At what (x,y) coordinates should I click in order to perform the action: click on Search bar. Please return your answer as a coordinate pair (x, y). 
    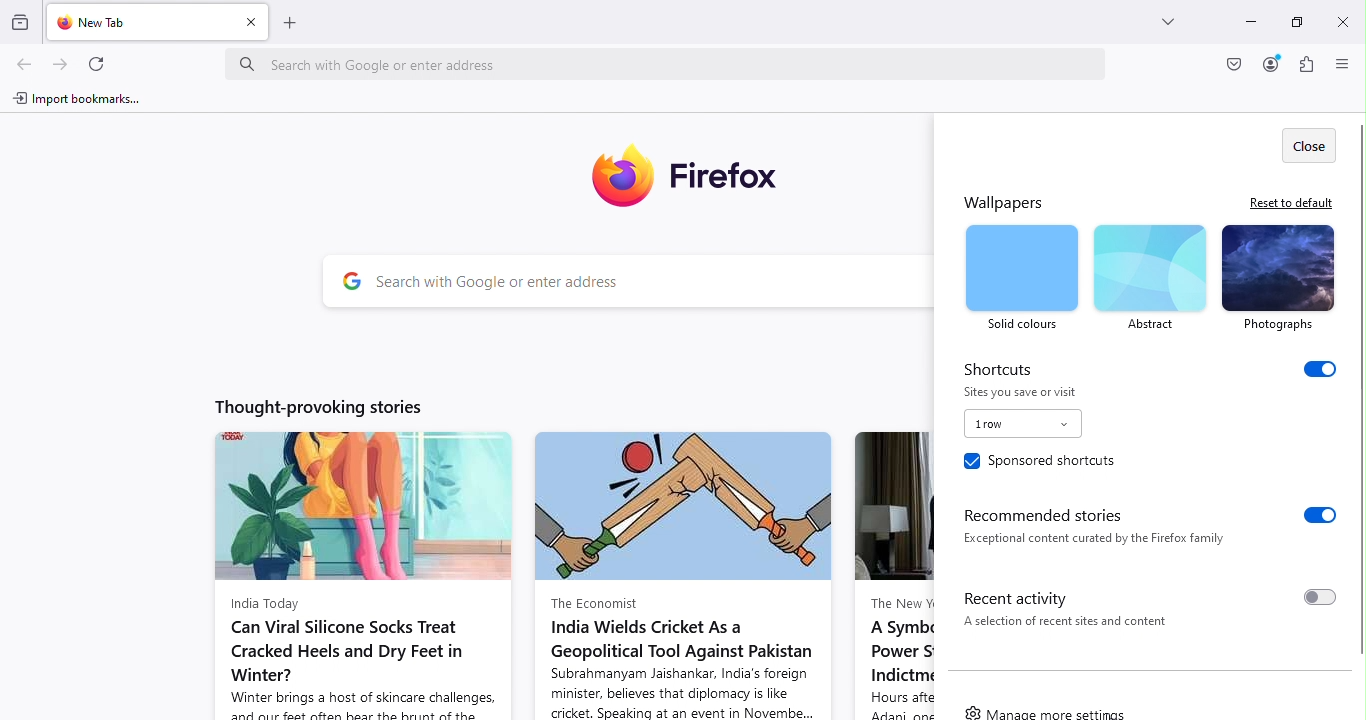
    Looking at the image, I should click on (676, 62).